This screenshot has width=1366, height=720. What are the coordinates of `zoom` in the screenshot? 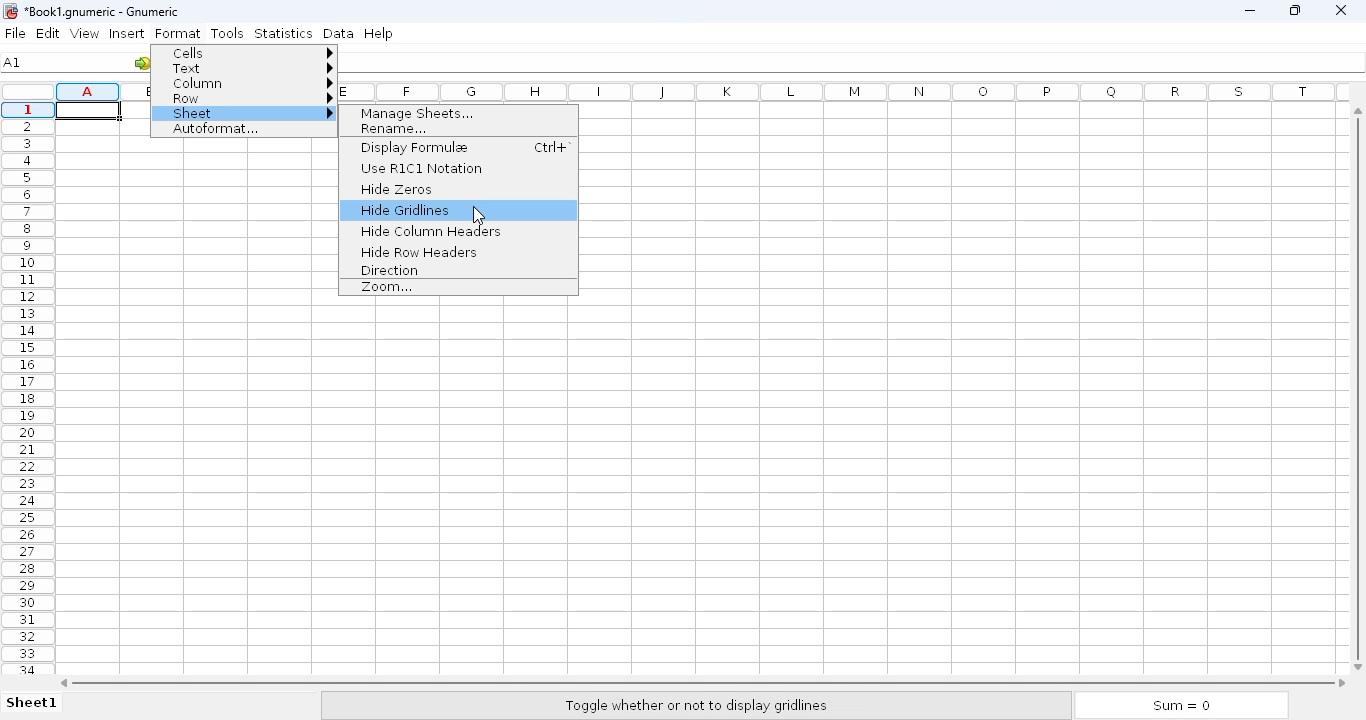 It's located at (388, 287).